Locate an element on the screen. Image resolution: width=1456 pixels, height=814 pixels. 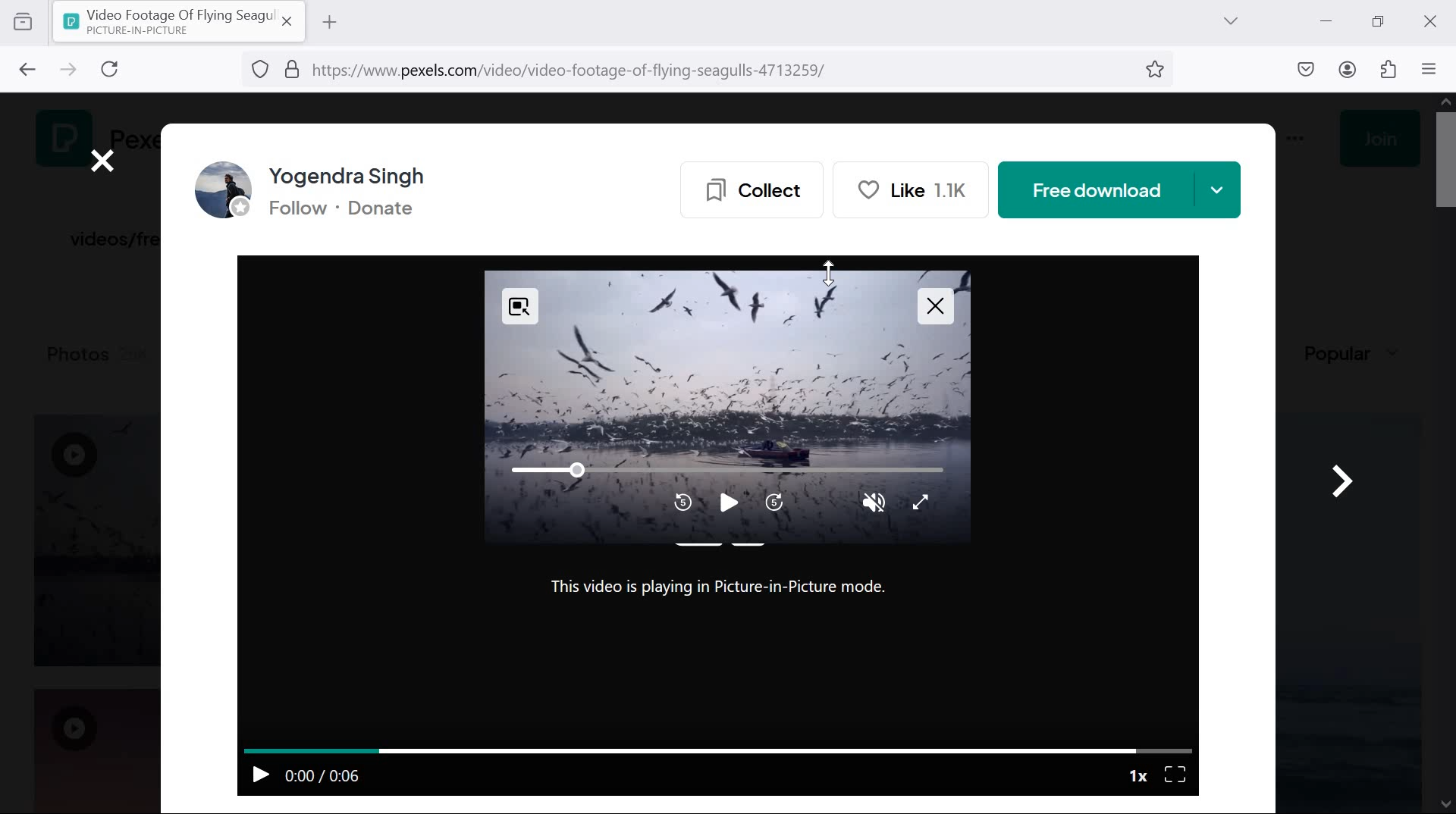
free download is located at coordinates (1120, 190).